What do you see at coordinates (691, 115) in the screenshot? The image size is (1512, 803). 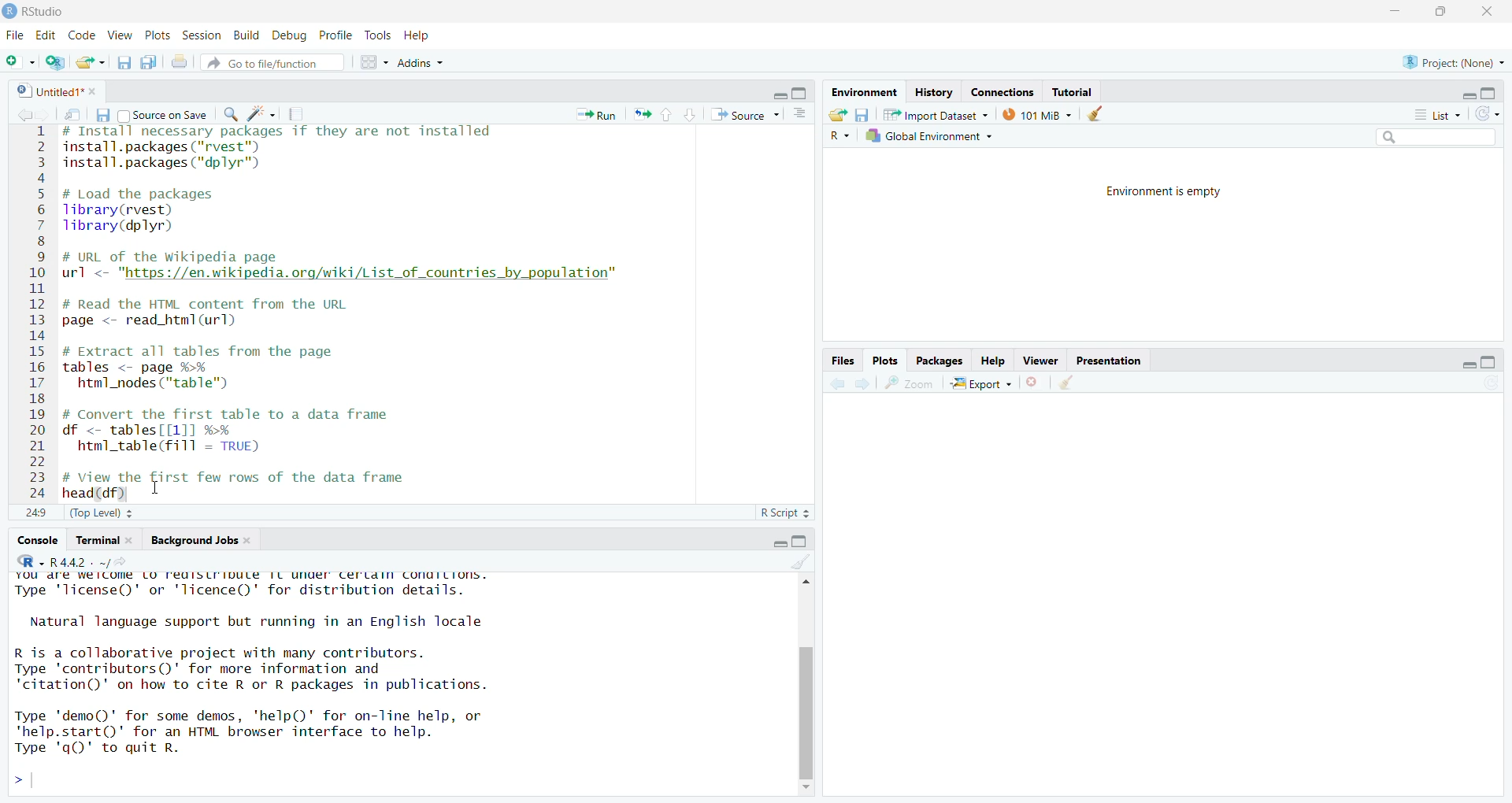 I see `down` at bounding box center [691, 115].